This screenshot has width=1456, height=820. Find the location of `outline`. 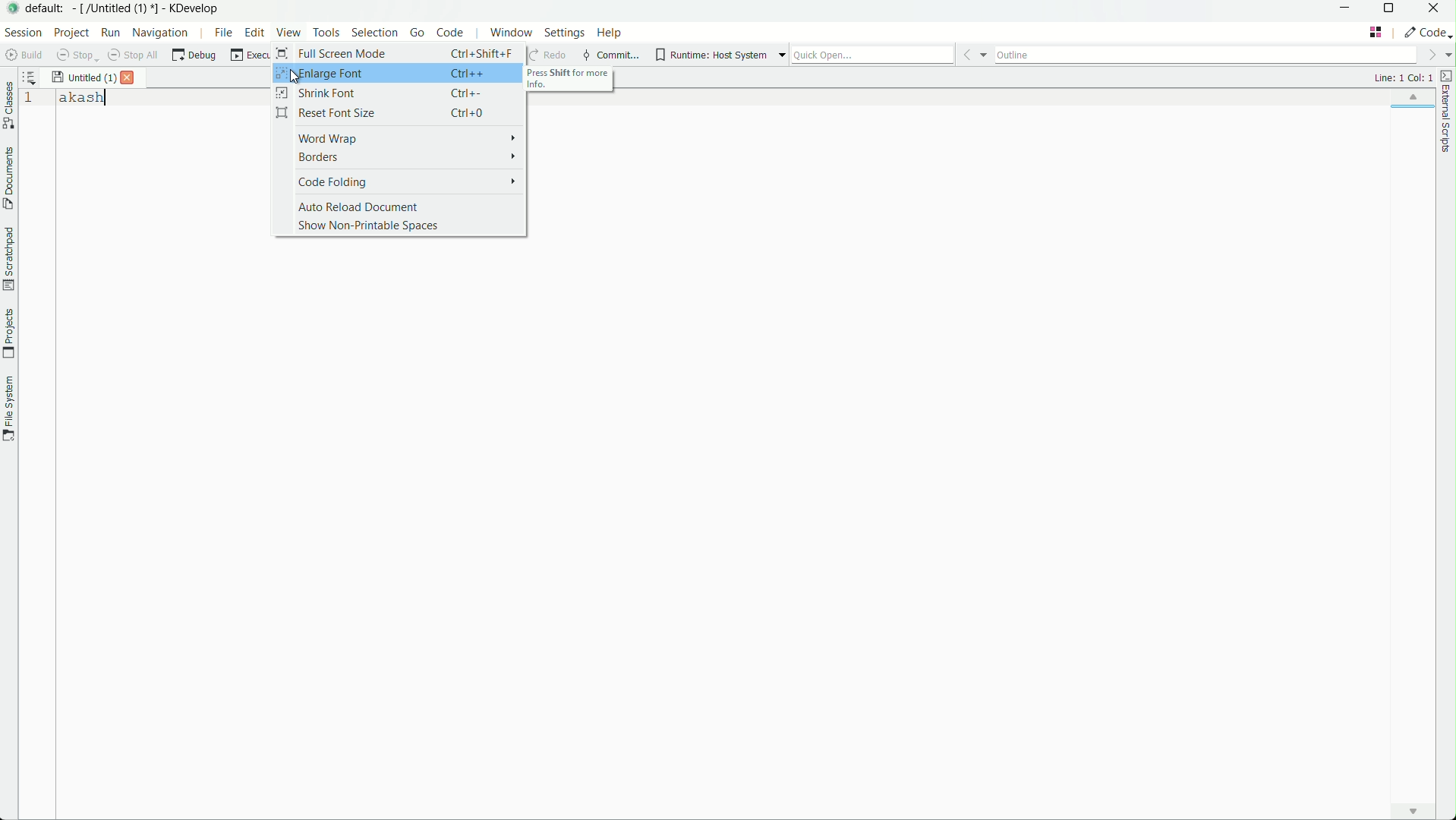

outline is located at coordinates (1209, 55).